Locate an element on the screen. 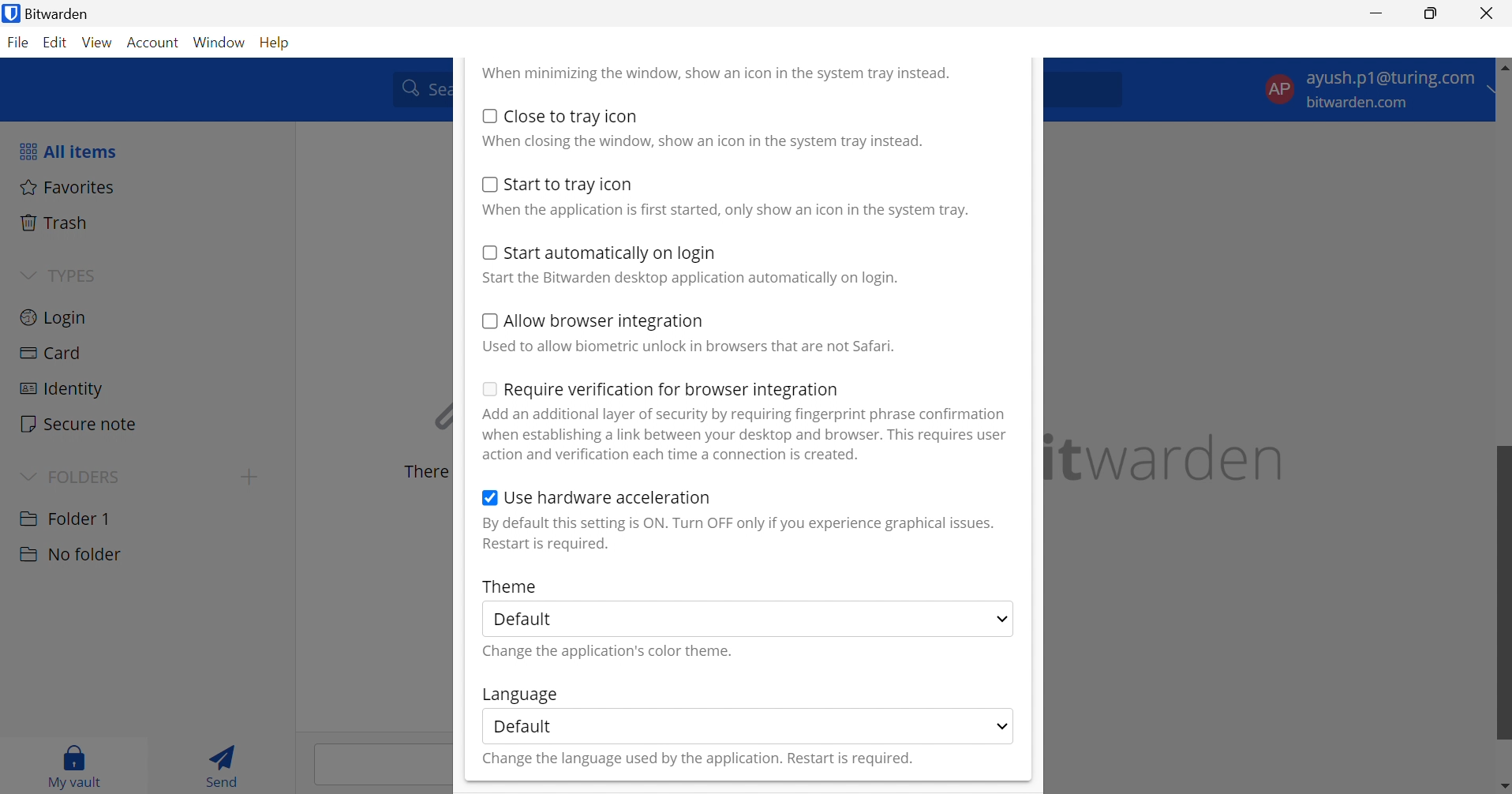  Start the Bitwarden desktop application automatically on login. is located at coordinates (692, 279).